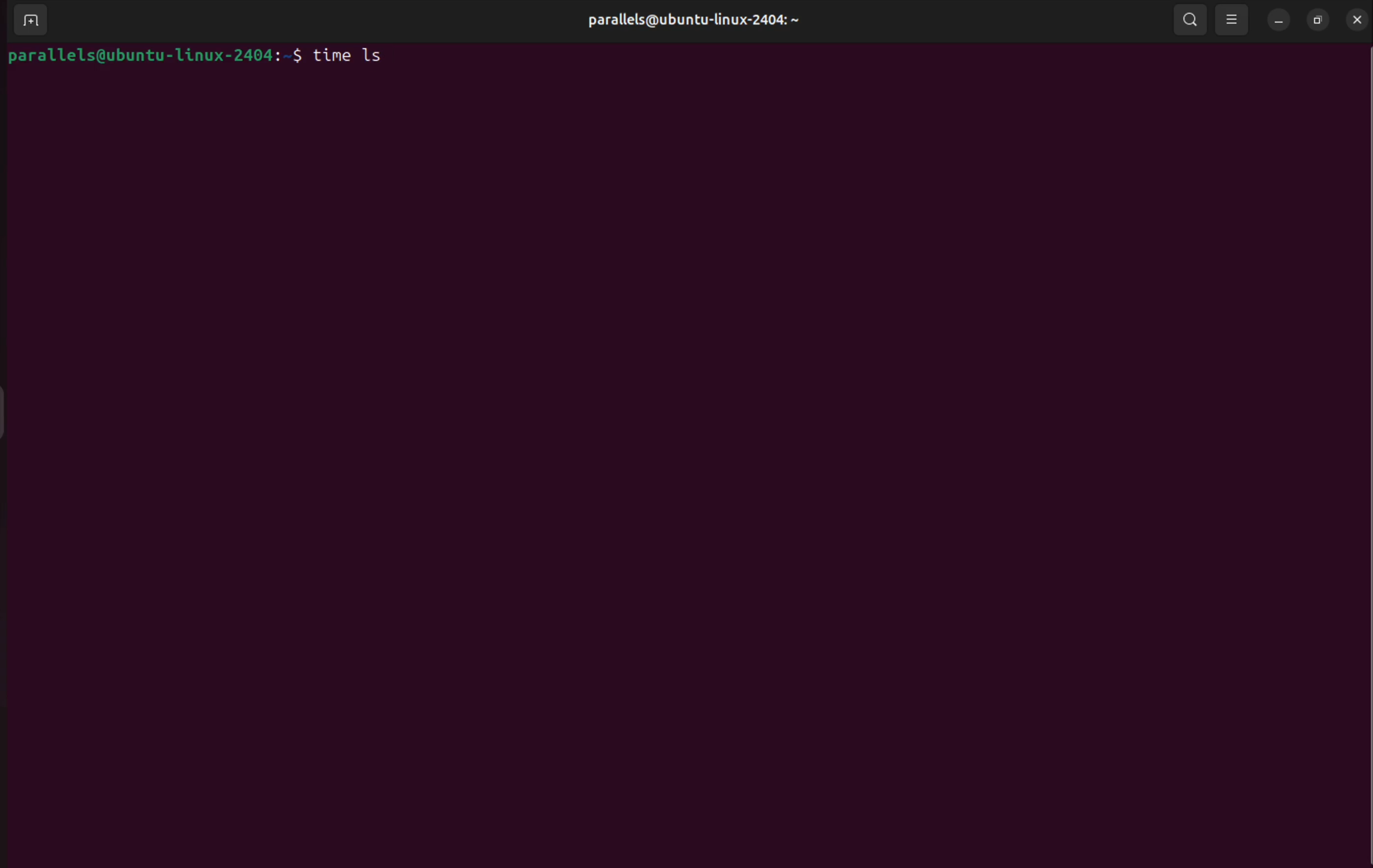 This screenshot has height=868, width=1373. What do you see at coordinates (1364, 455) in the screenshot?
I see `Scrollbar` at bounding box center [1364, 455].